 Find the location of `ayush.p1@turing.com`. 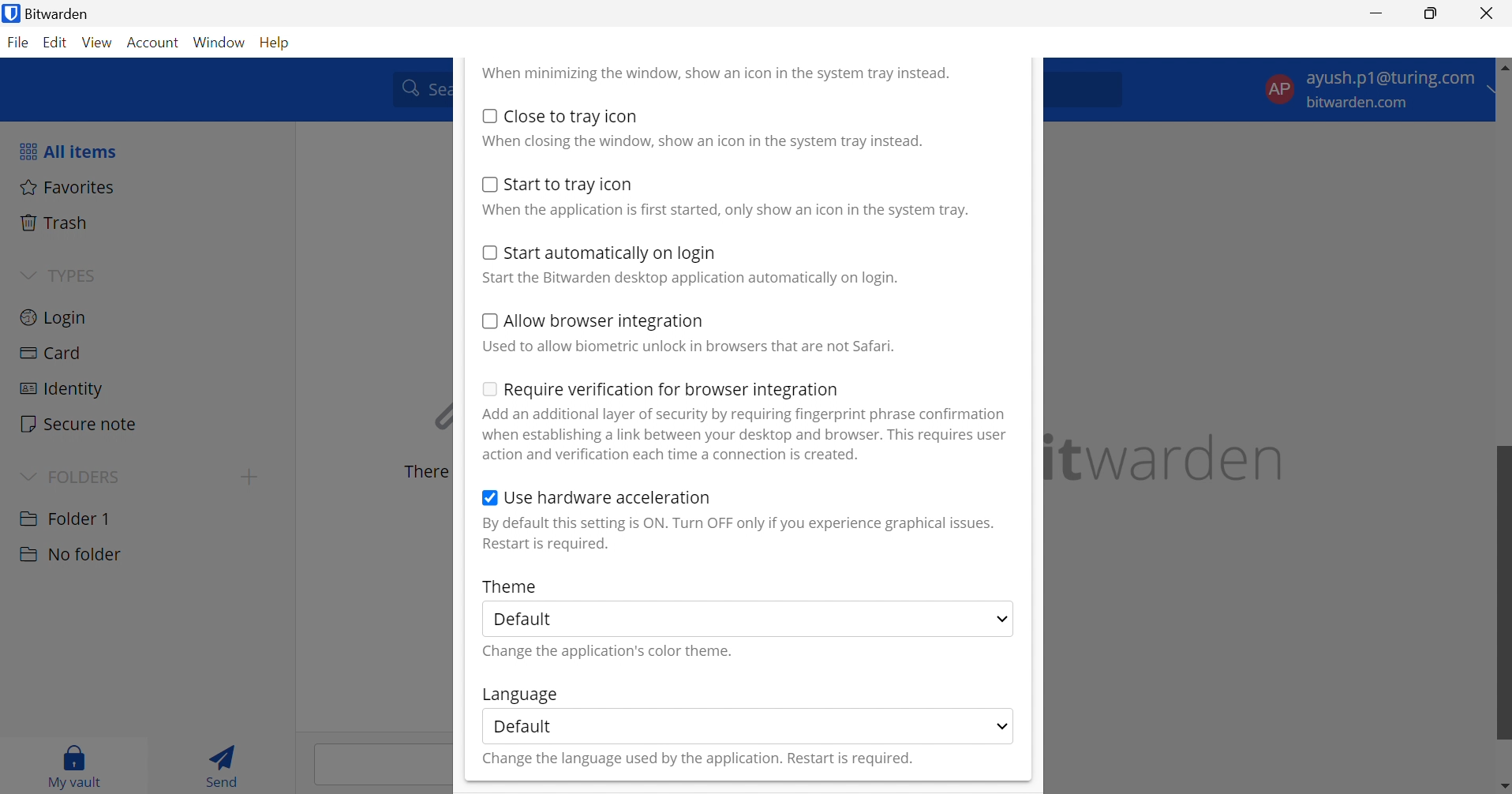

ayush.p1@turing.com is located at coordinates (1390, 81).